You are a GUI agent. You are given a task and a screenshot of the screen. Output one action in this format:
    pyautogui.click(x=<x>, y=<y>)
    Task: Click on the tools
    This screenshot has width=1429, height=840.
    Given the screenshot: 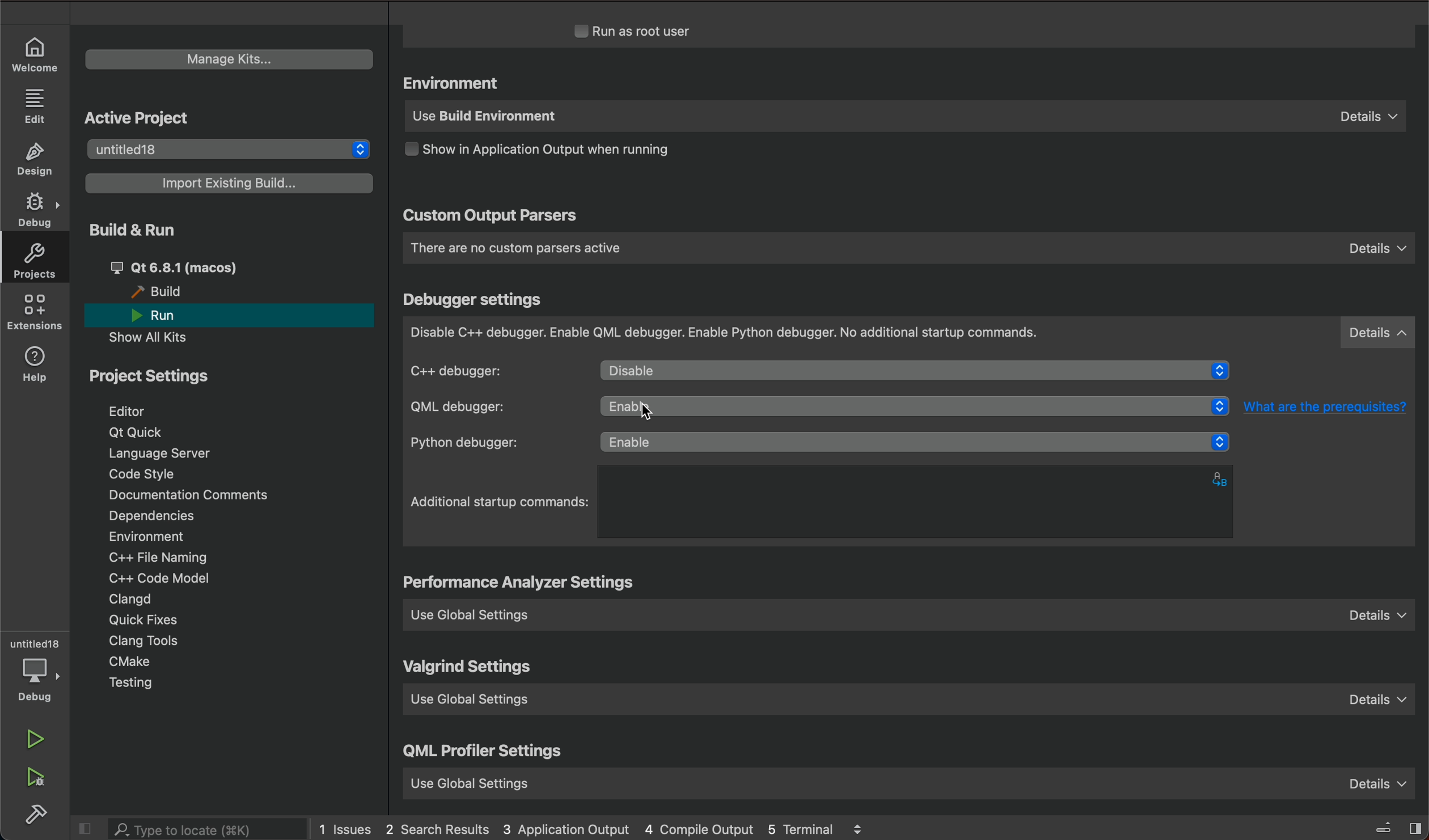 What is the action you would take?
    pyautogui.click(x=161, y=642)
    